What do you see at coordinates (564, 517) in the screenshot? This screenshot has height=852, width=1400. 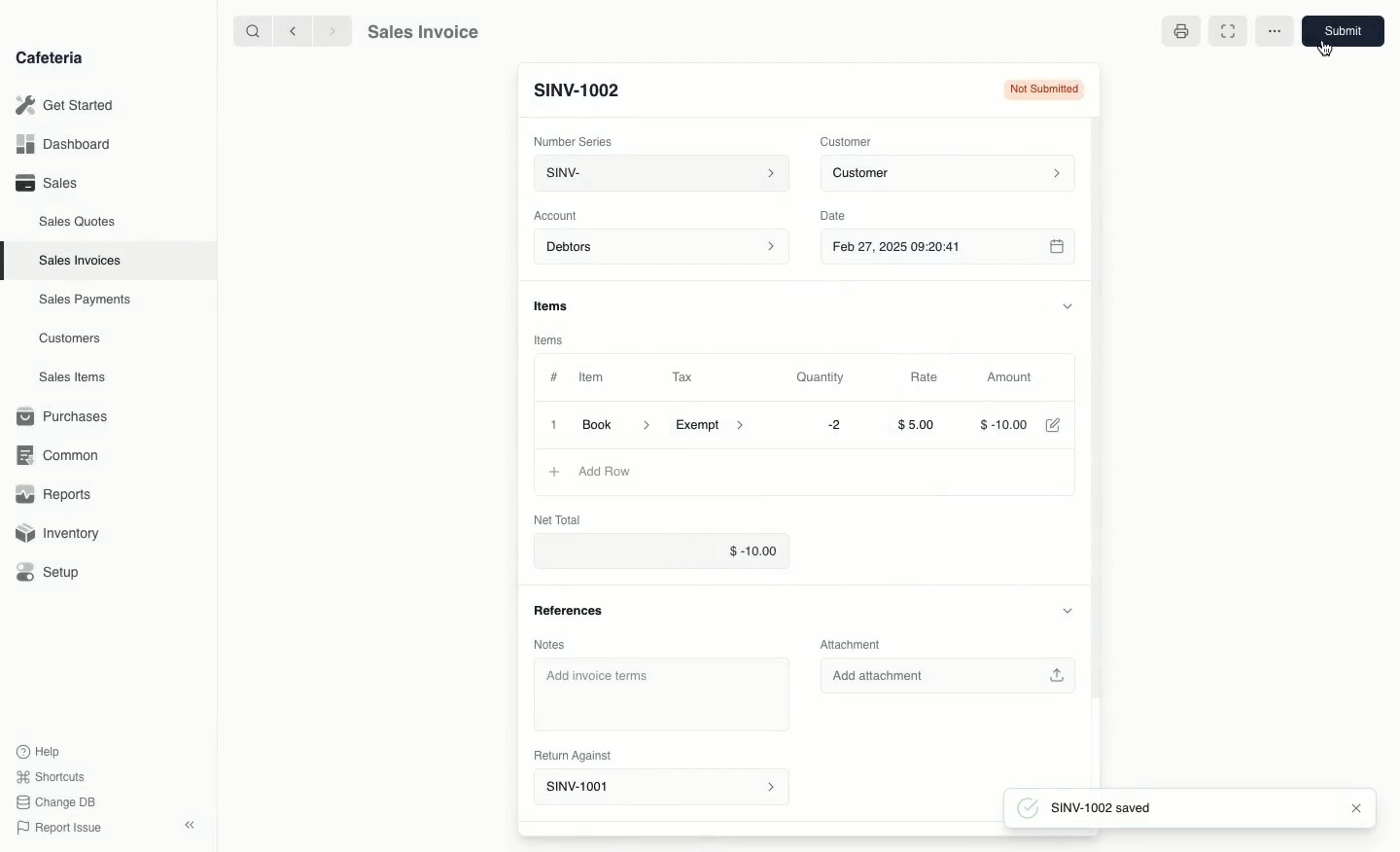 I see `Net Total` at bounding box center [564, 517].